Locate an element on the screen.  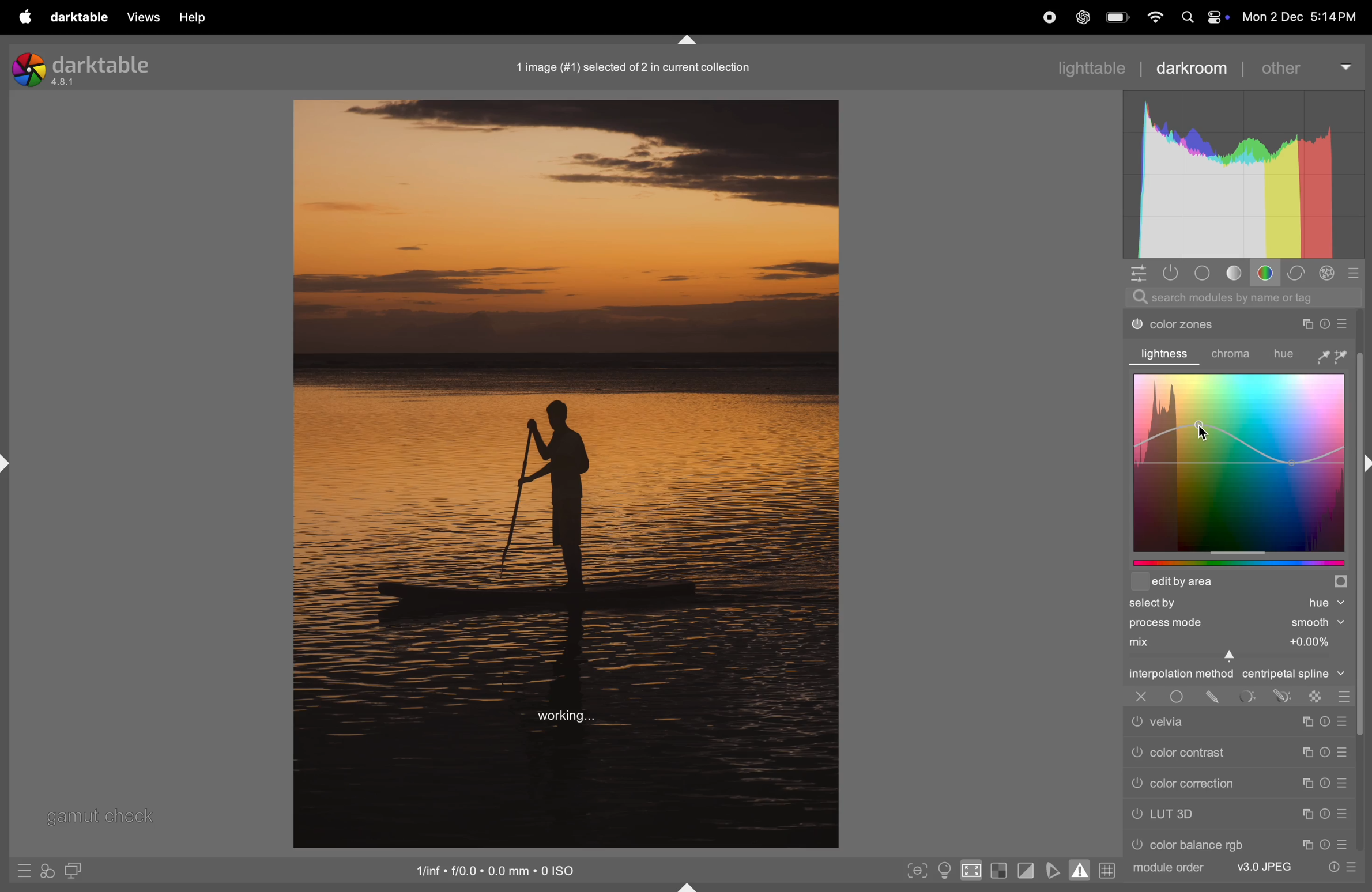
battery is located at coordinates (1118, 16).